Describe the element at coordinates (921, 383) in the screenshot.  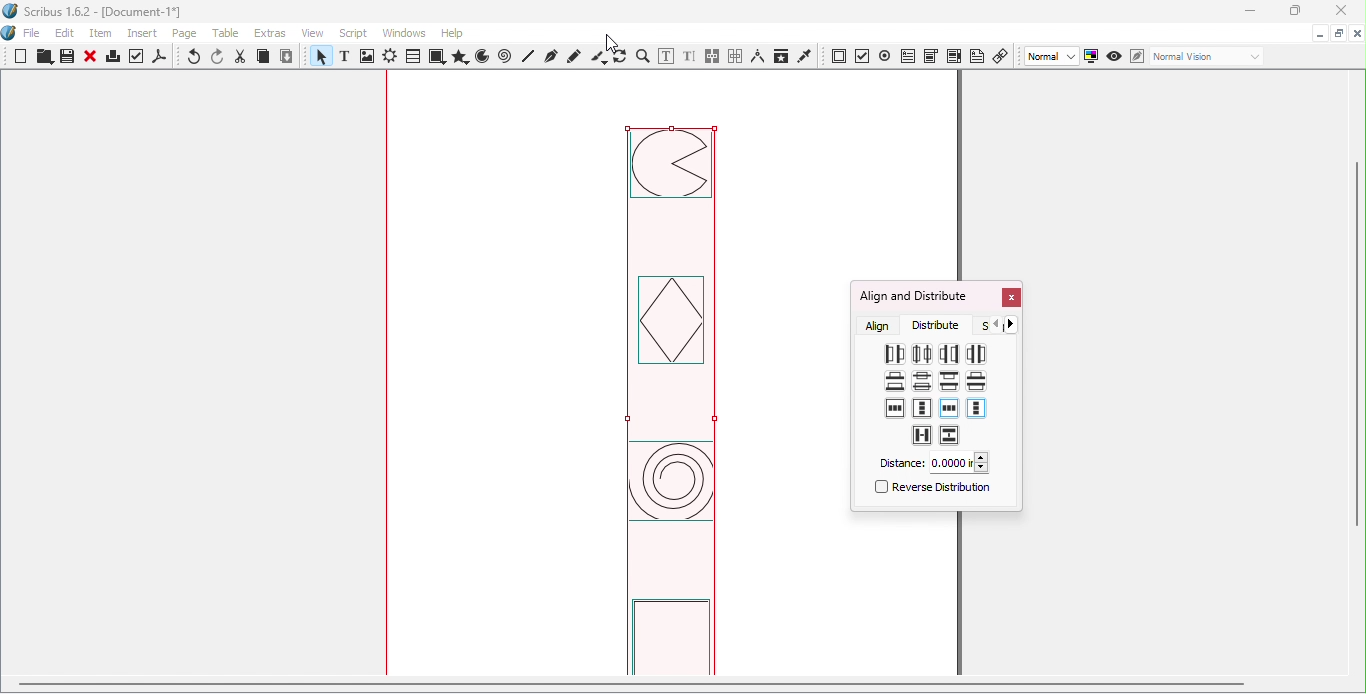
I see `Distribute centers equidistantly vertically` at that location.